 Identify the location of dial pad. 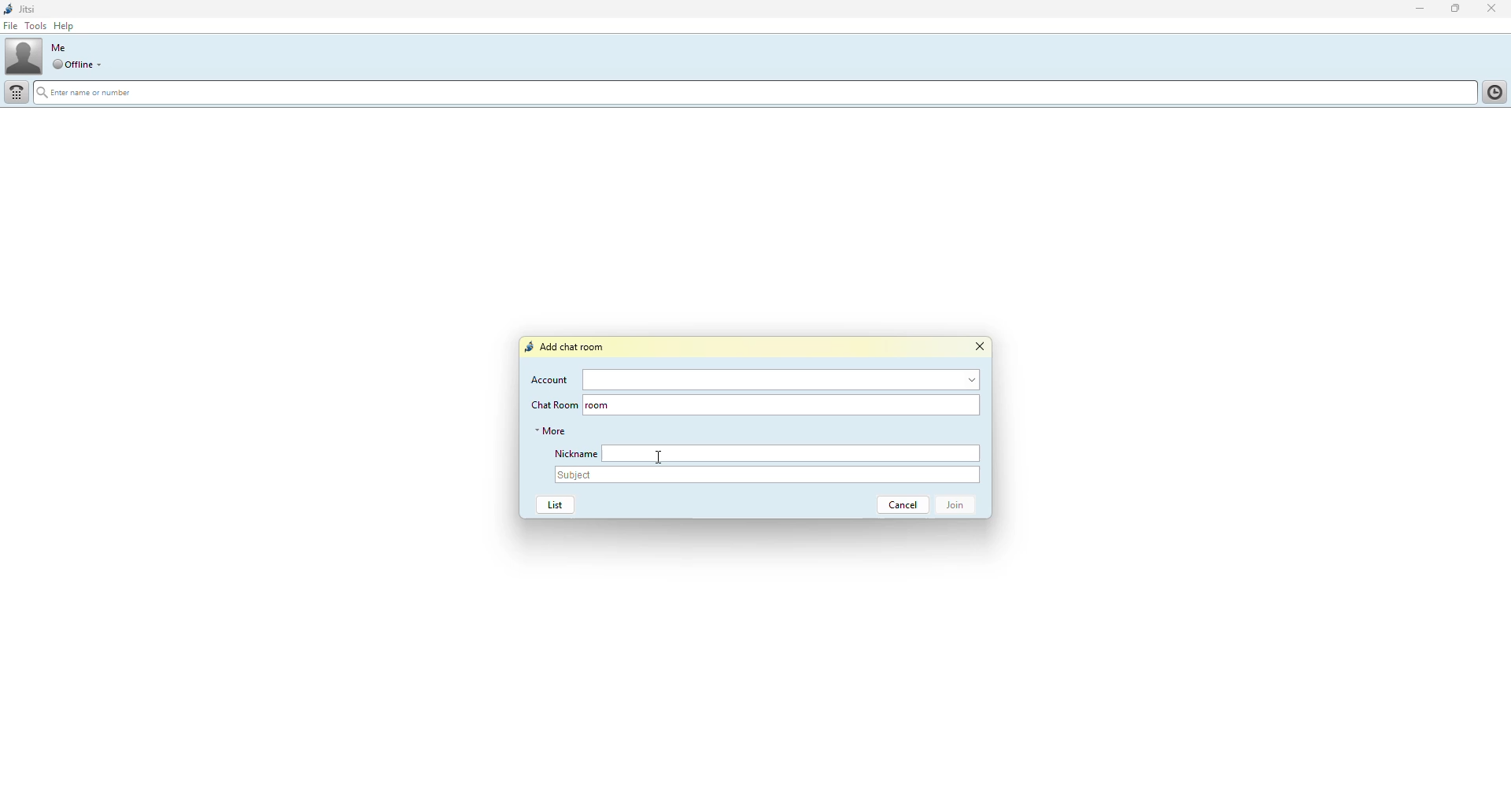
(17, 92).